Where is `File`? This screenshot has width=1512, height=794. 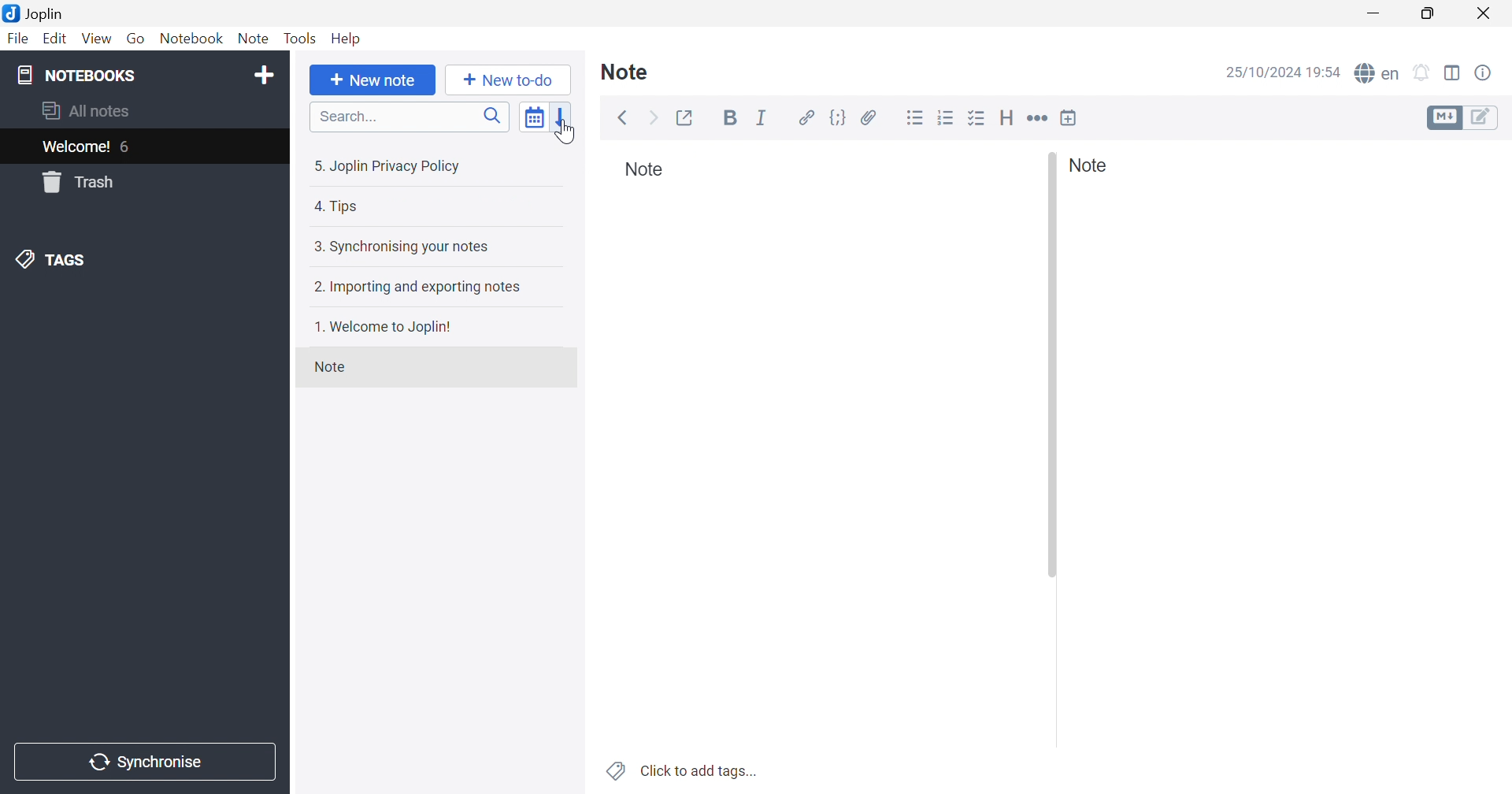 File is located at coordinates (17, 40).